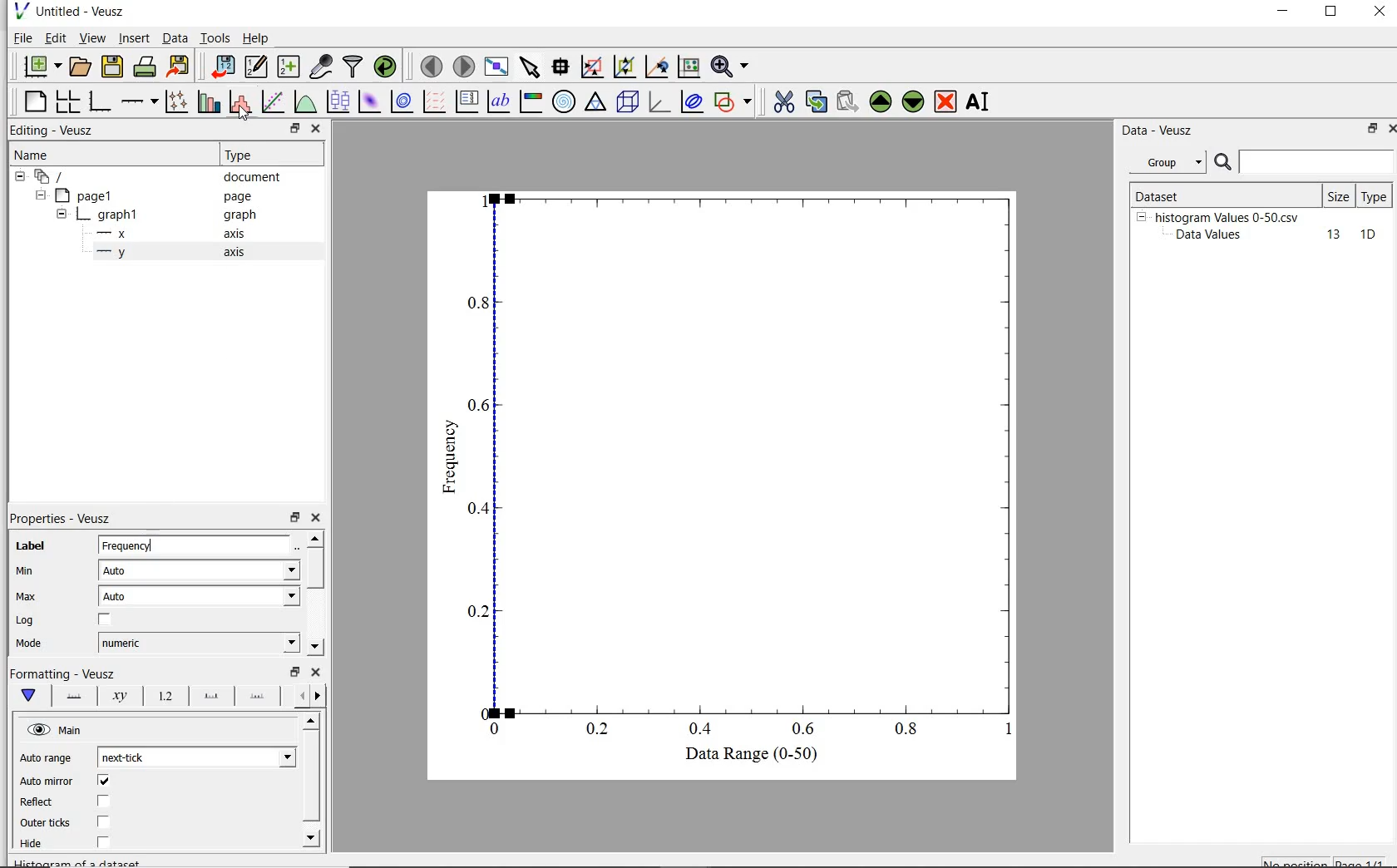  Describe the element at coordinates (319, 696) in the screenshot. I see `next options` at that location.